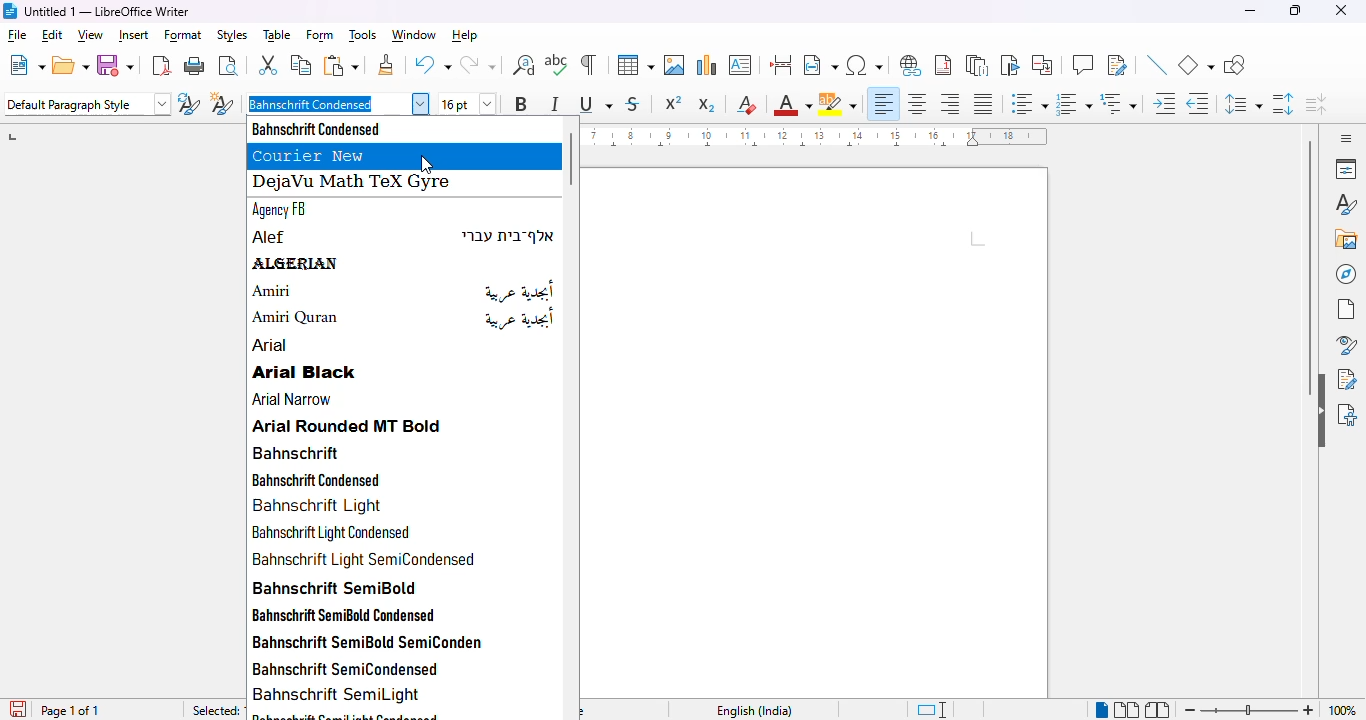 The image size is (1366, 720). Describe the element at coordinates (748, 104) in the screenshot. I see `clear direct formatting` at that location.